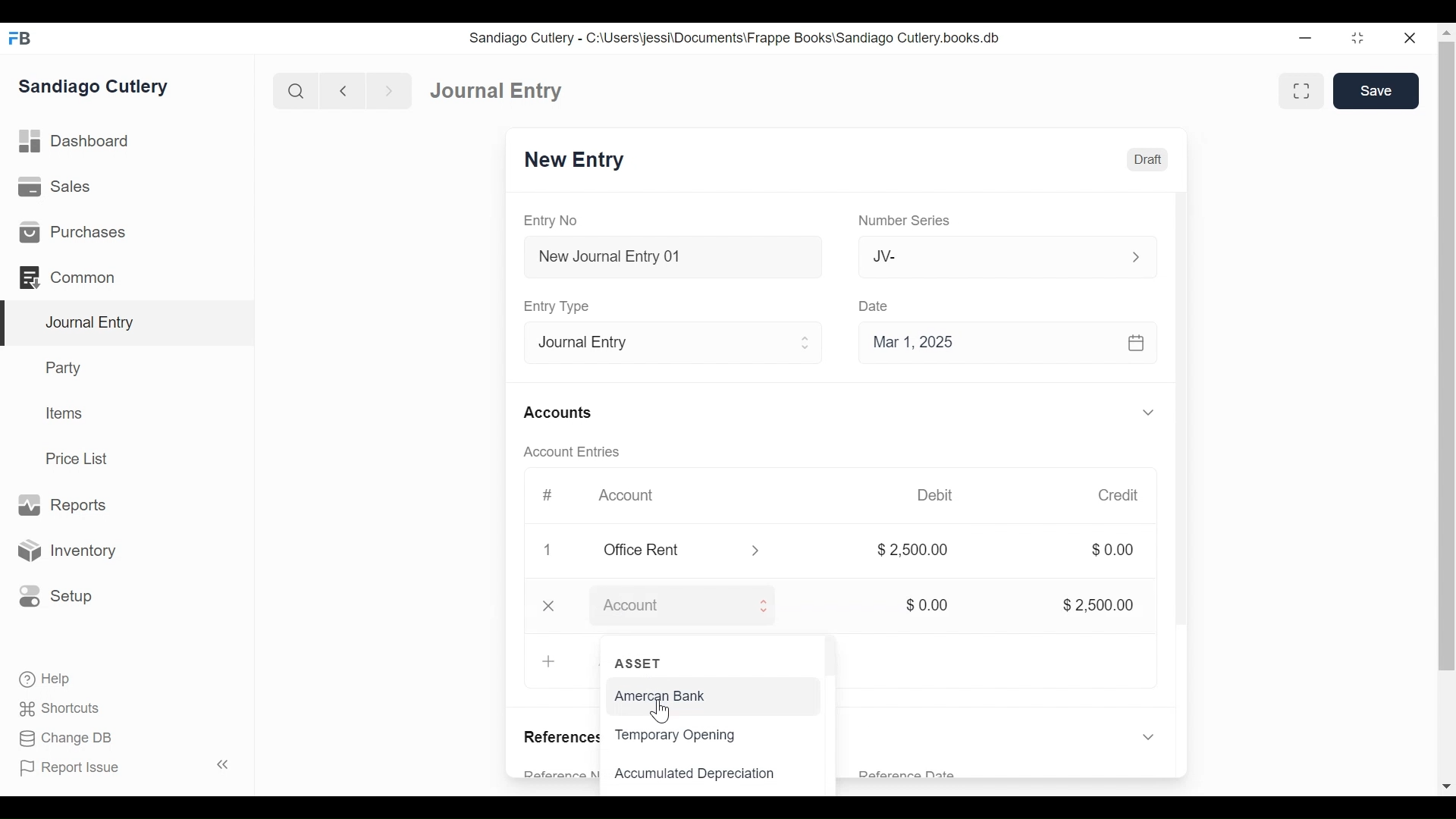 The height and width of the screenshot is (819, 1456). What do you see at coordinates (912, 221) in the screenshot?
I see `Number Series` at bounding box center [912, 221].